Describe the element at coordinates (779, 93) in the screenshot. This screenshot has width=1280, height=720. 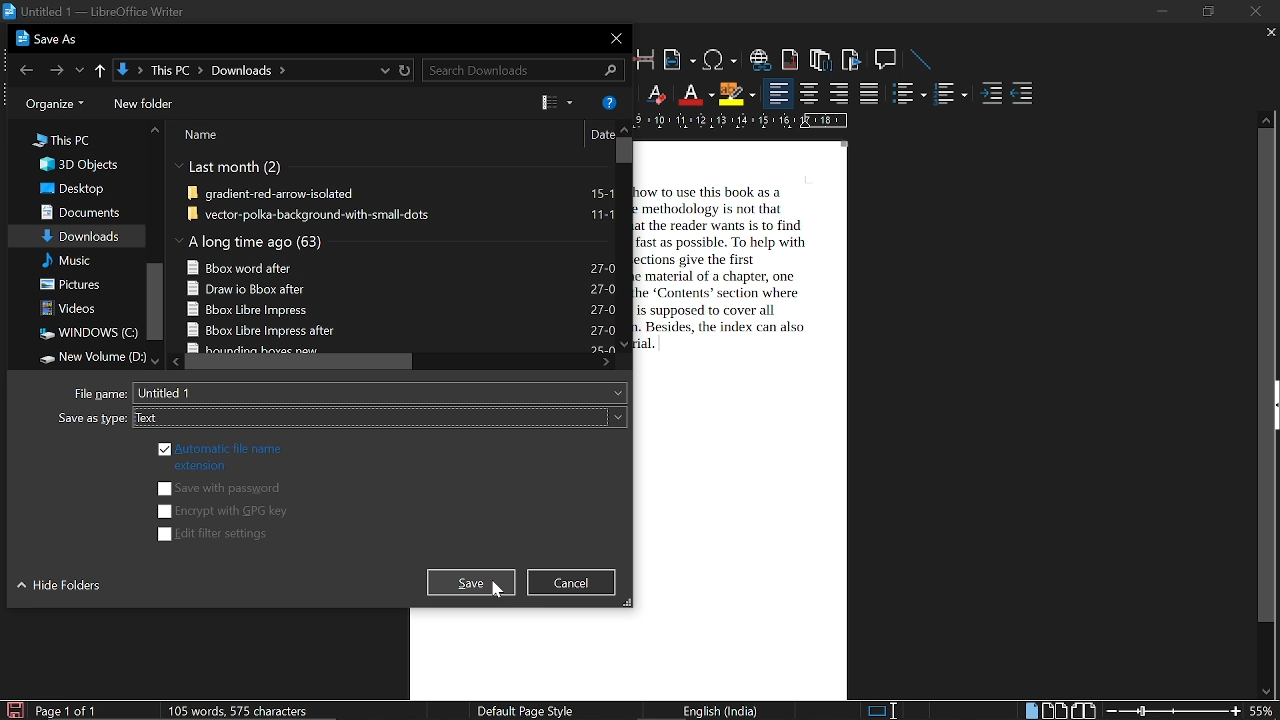
I see `align left` at that location.